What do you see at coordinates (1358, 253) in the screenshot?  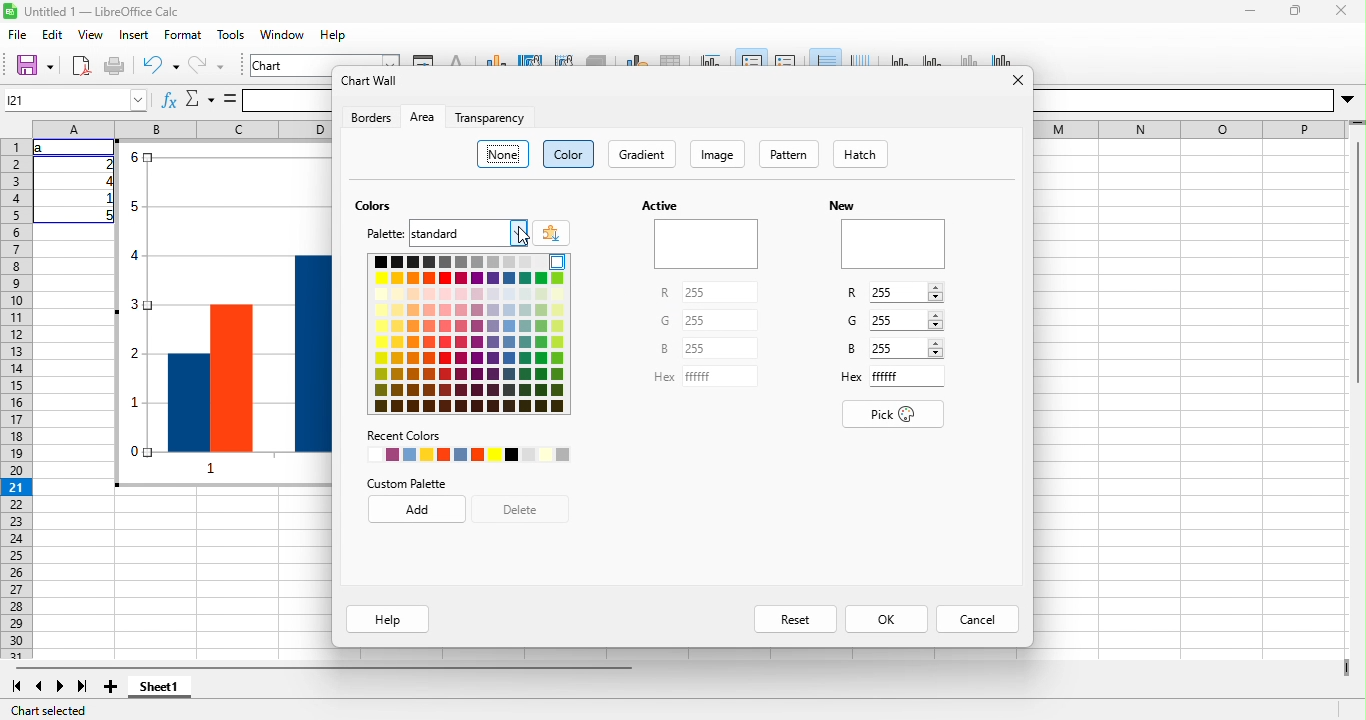 I see `Vertical slide bar` at bounding box center [1358, 253].